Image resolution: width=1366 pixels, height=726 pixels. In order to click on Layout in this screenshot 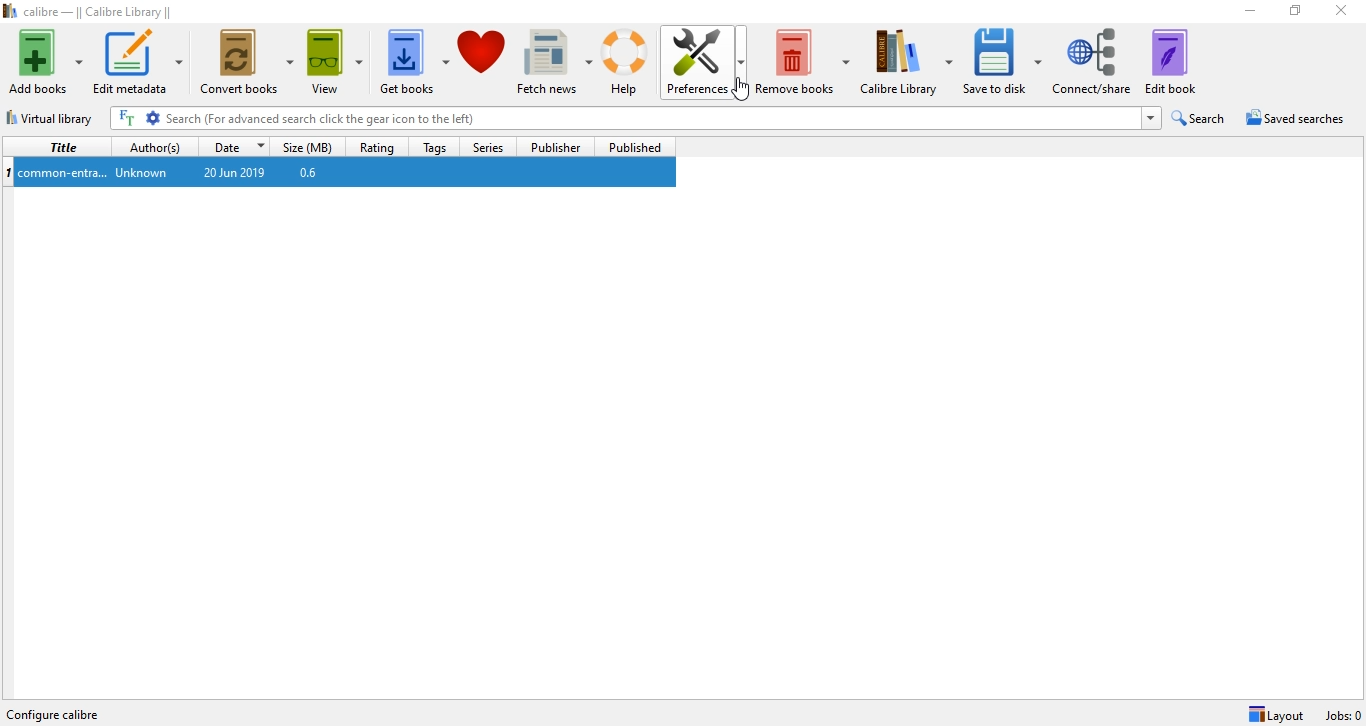, I will do `click(1276, 714)`.